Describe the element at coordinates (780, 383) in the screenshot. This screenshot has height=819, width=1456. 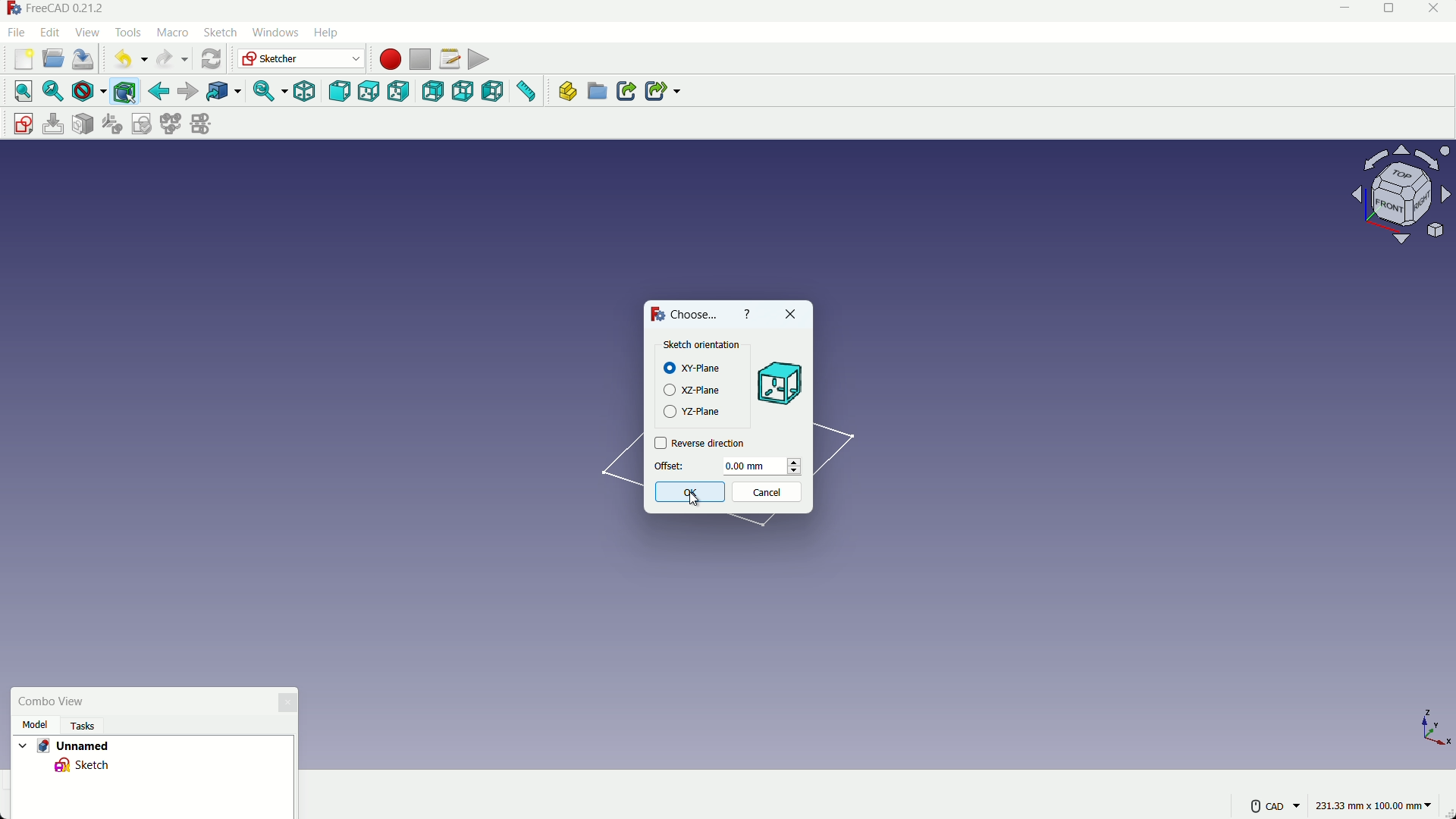
I see `preview` at that location.